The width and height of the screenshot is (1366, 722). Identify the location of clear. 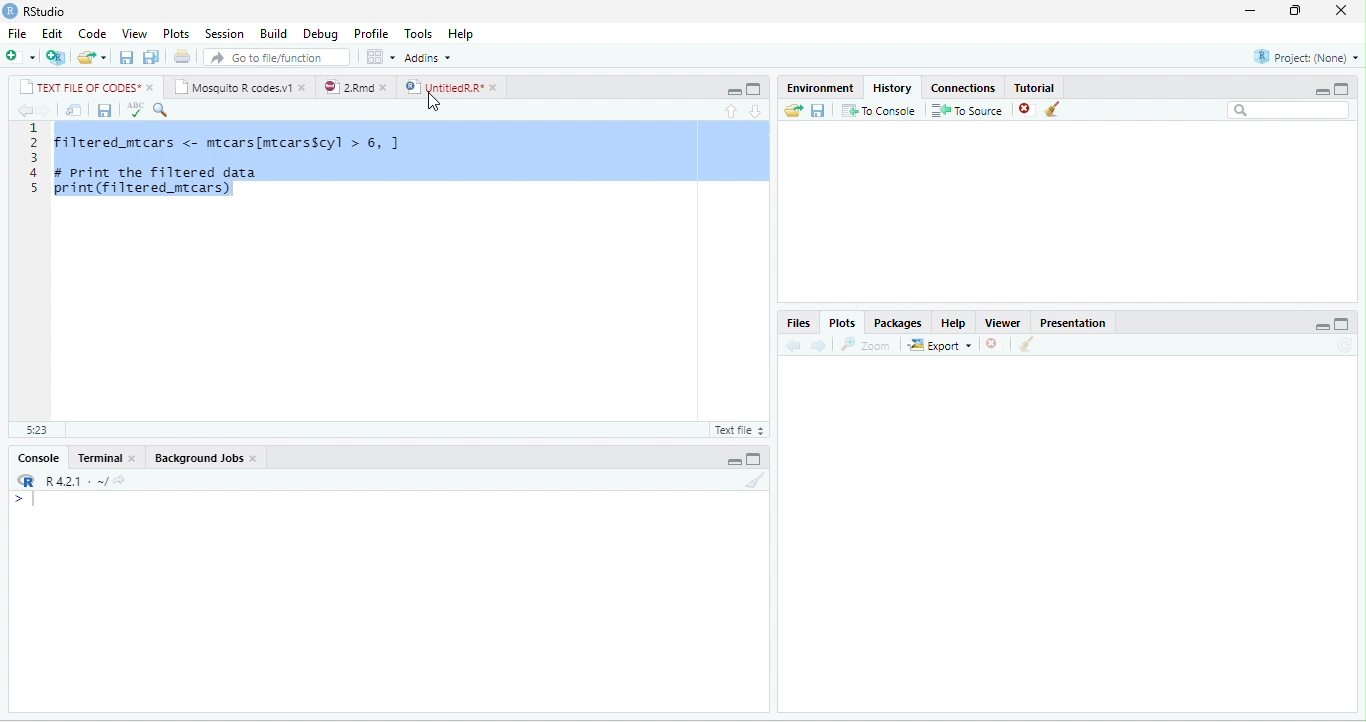
(1053, 108).